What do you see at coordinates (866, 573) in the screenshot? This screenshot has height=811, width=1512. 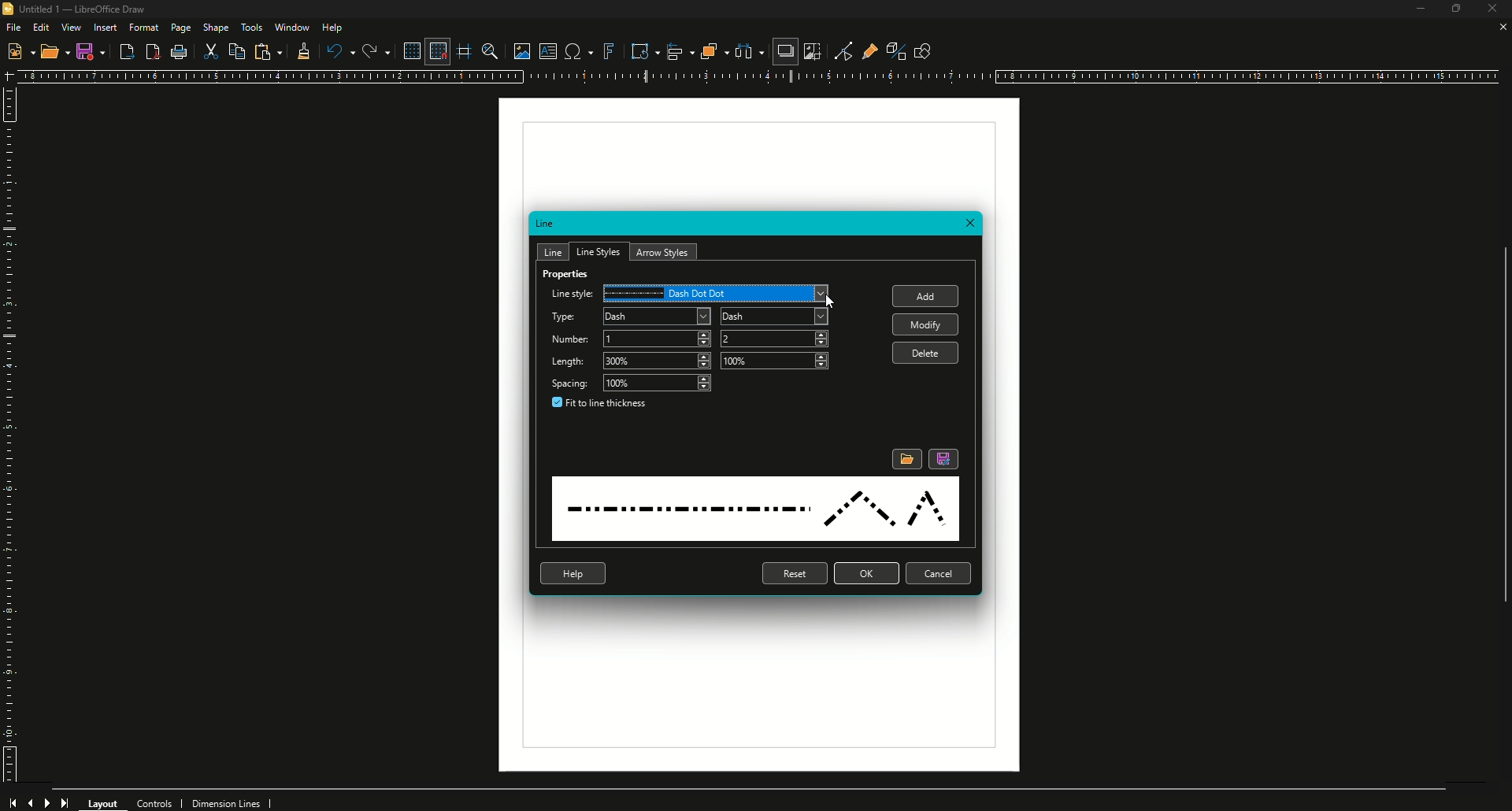 I see `OK` at bounding box center [866, 573].